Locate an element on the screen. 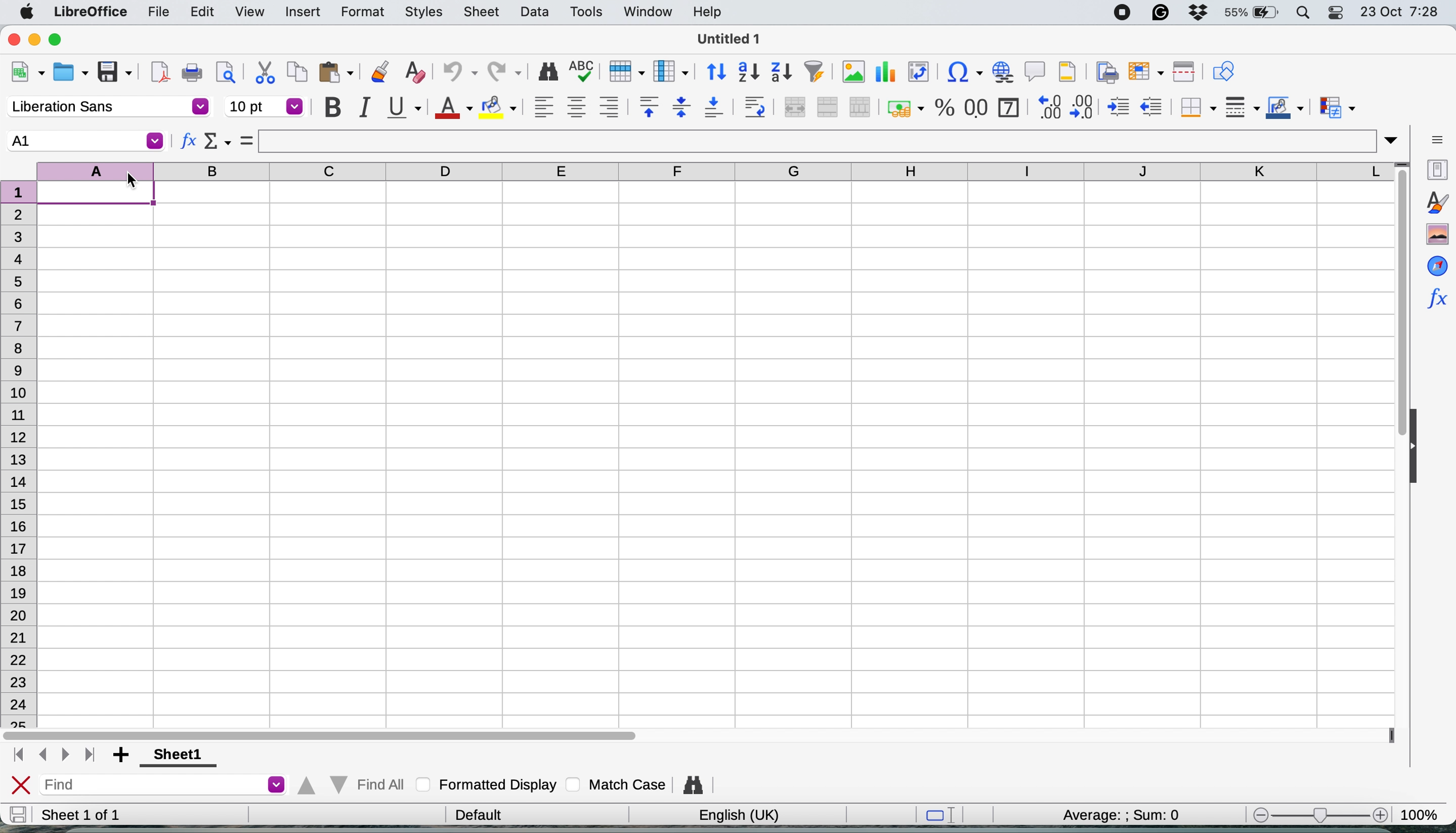 This screenshot has height=833, width=1456. libreoffice is located at coordinates (92, 12).